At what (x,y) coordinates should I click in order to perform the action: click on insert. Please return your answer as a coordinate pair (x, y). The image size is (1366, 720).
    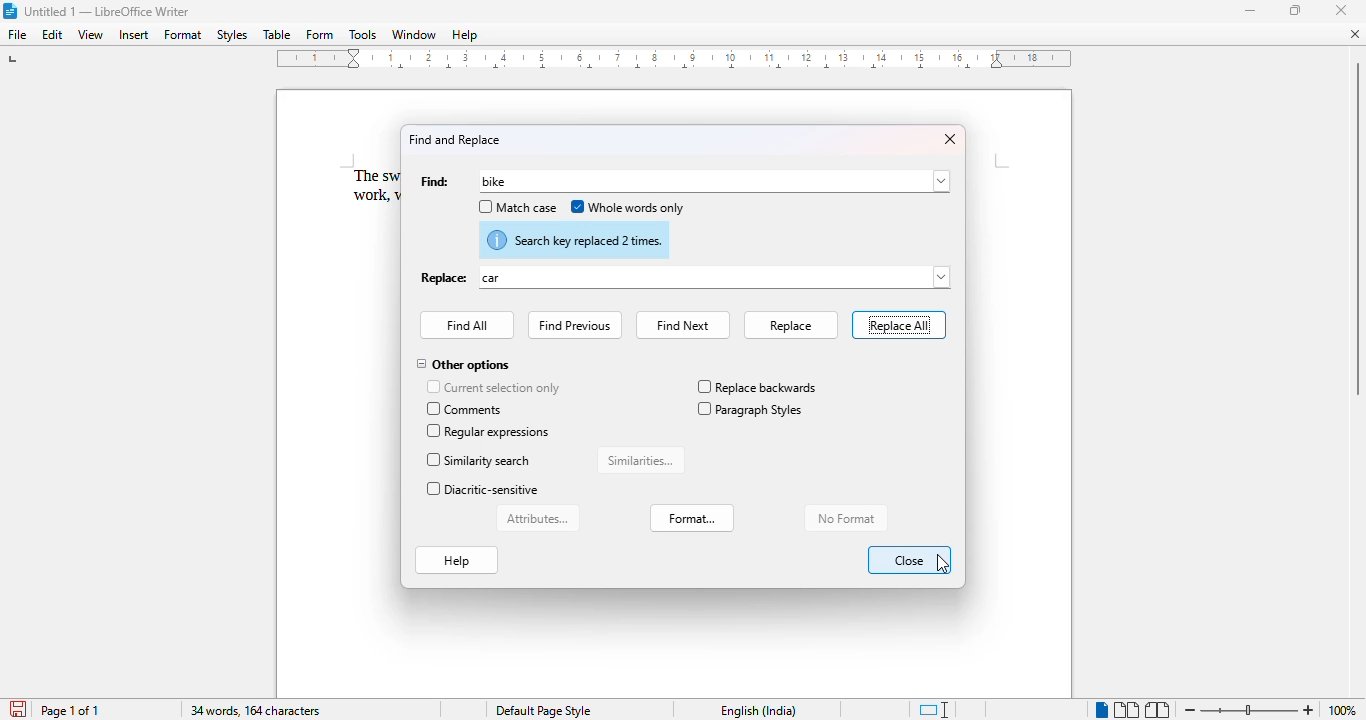
    Looking at the image, I should click on (133, 35).